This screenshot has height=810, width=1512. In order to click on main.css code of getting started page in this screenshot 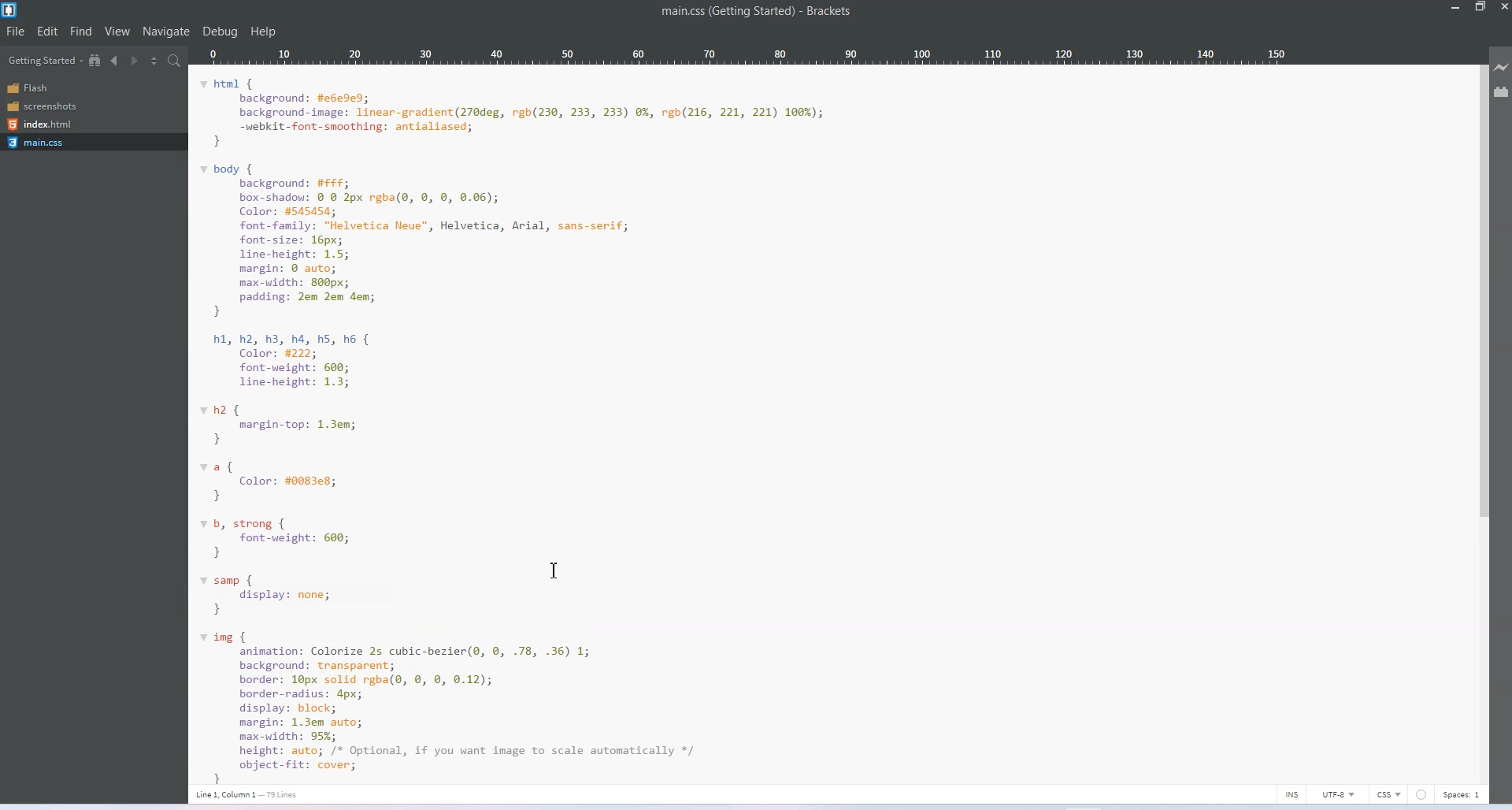, I will do `click(561, 425)`.